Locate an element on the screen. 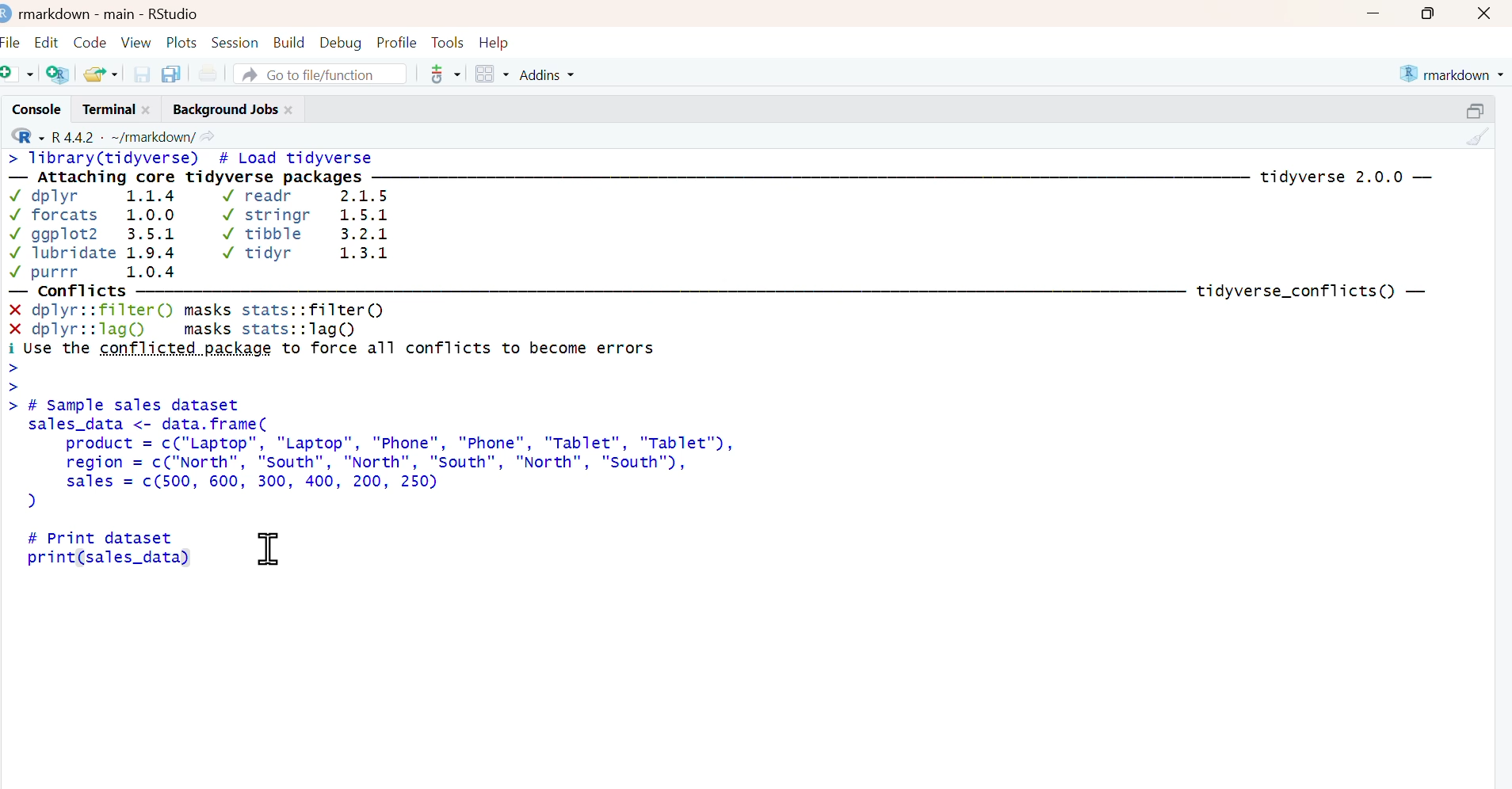 The image size is (1512, 789). ~/markdown is located at coordinates (151, 135).